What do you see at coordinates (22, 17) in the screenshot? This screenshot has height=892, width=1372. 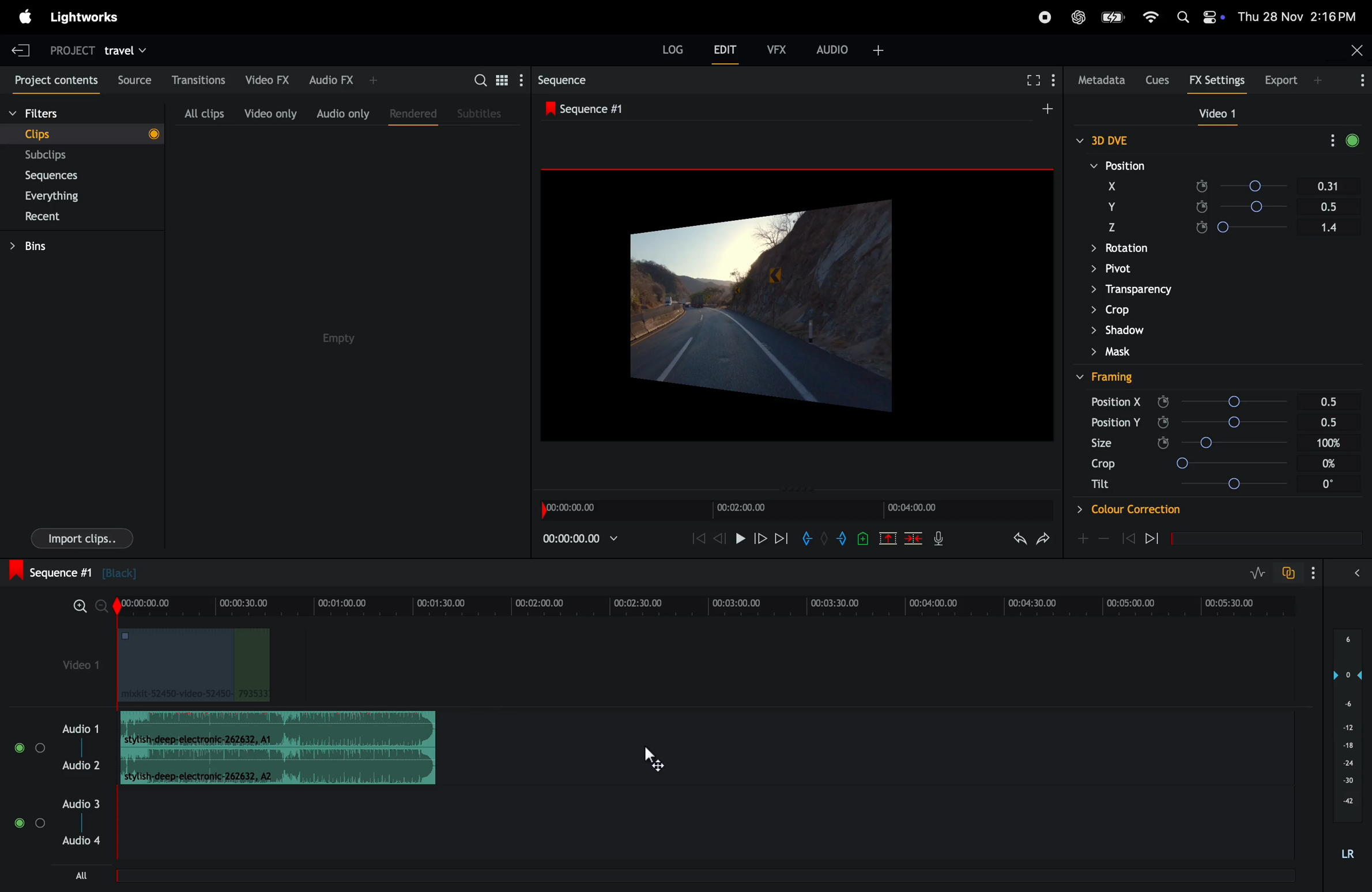 I see `apple menu` at bounding box center [22, 17].